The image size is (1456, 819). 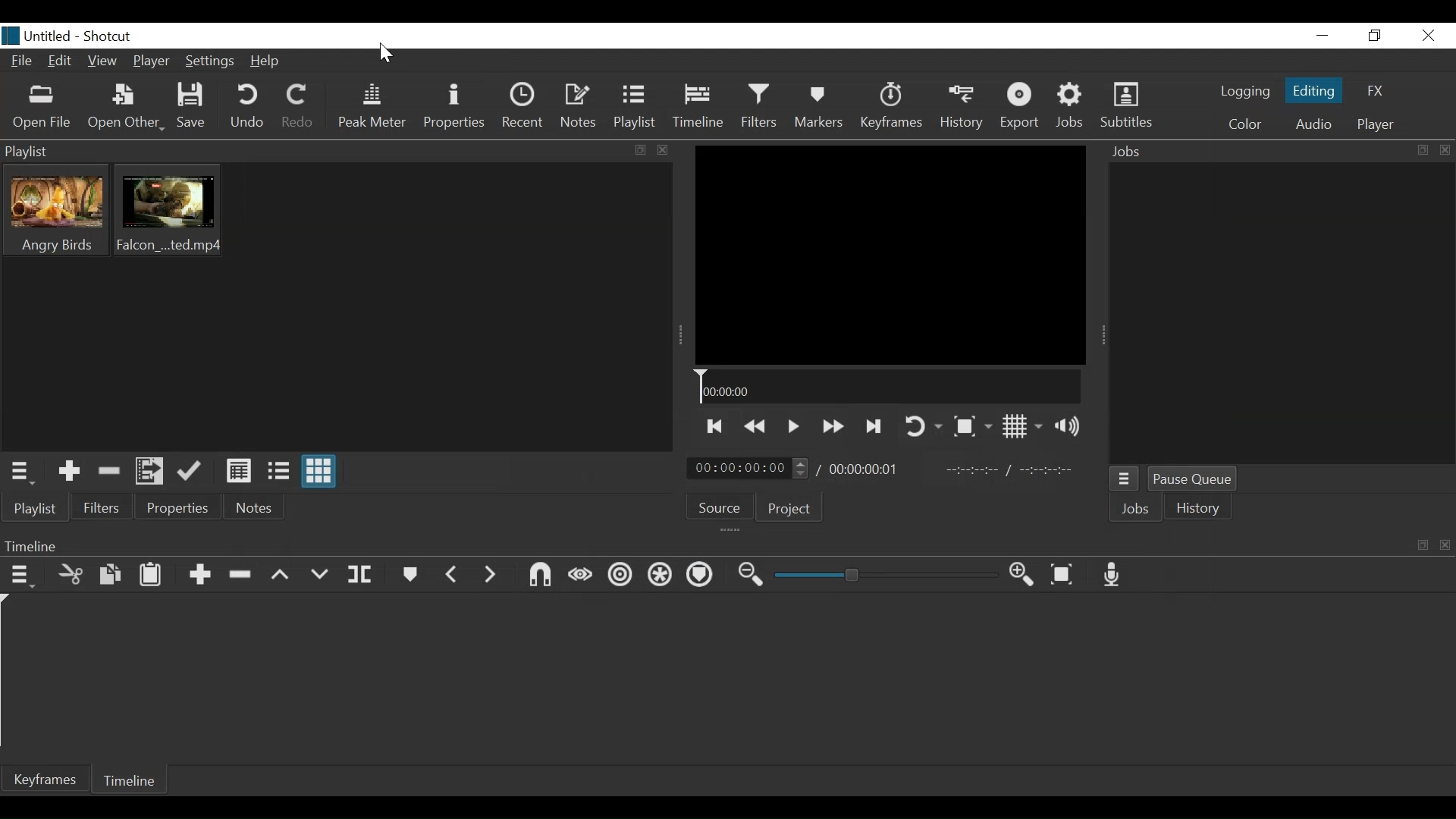 What do you see at coordinates (886, 576) in the screenshot?
I see `Zoom Slider` at bounding box center [886, 576].